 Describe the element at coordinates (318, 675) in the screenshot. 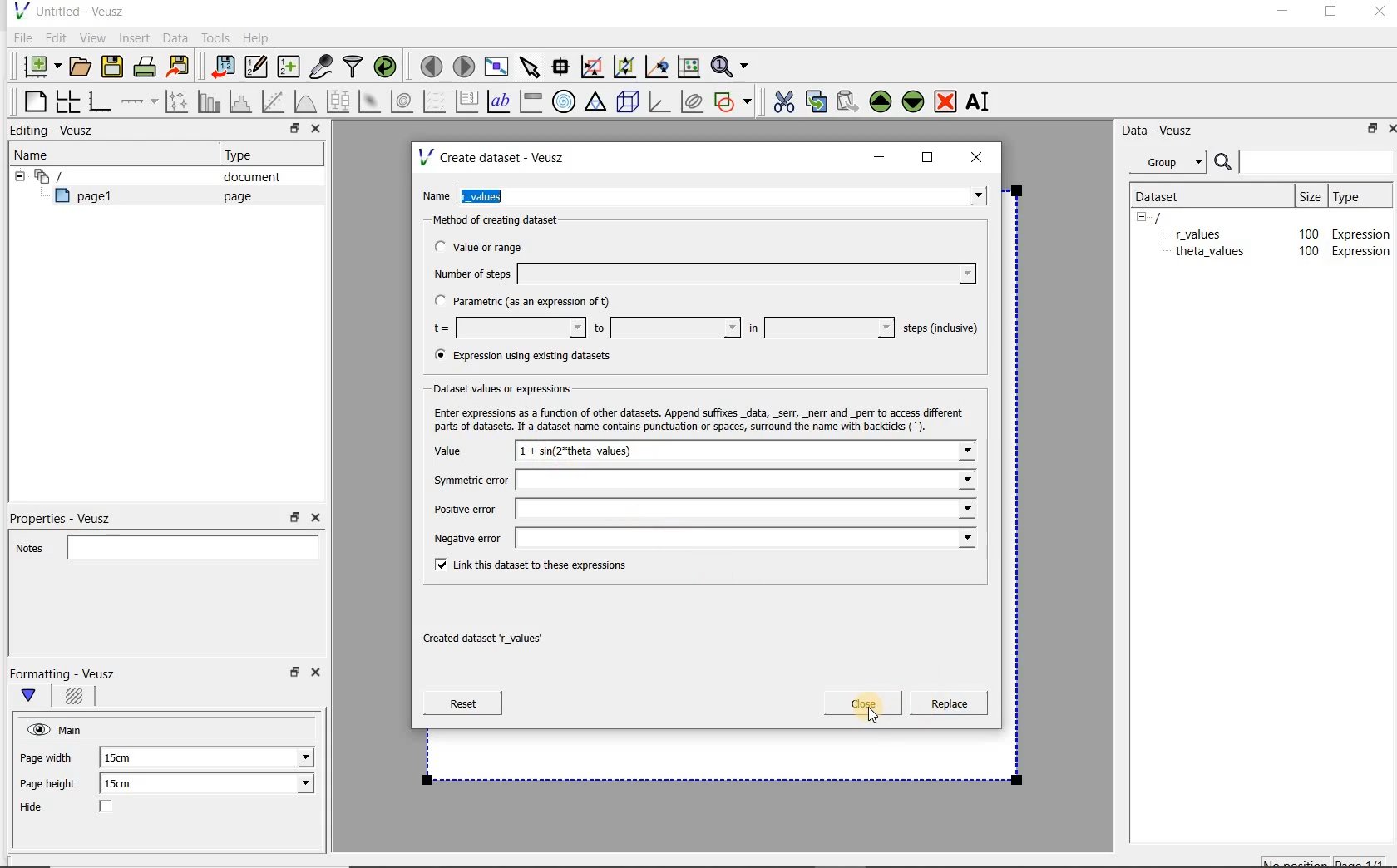

I see `Close` at that location.